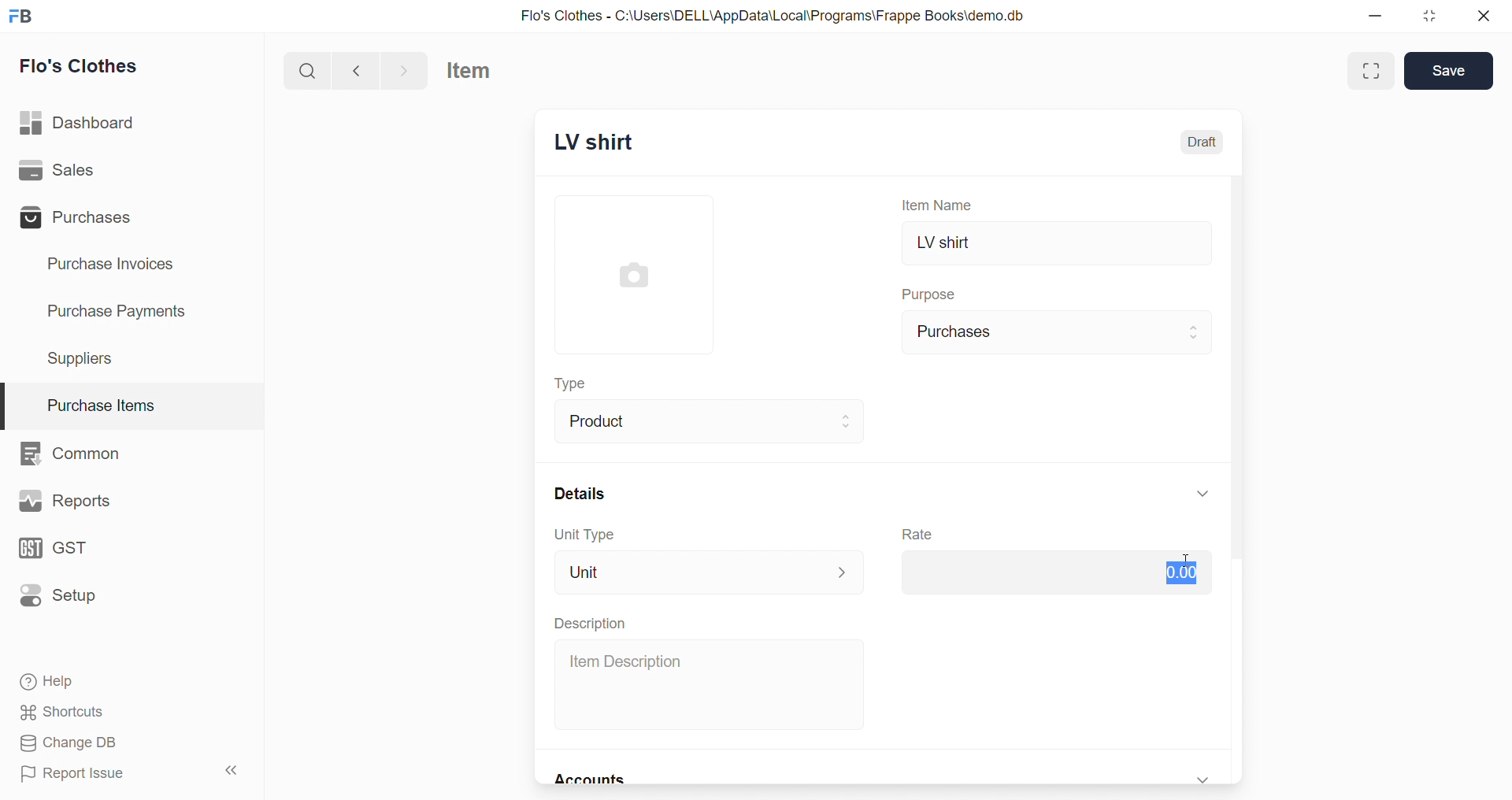 This screenshot has height=800, width=1512. What do you see at coordinates (1430, 16) in the screenshot?
I see `resize` at bounding box center [1430, 16].